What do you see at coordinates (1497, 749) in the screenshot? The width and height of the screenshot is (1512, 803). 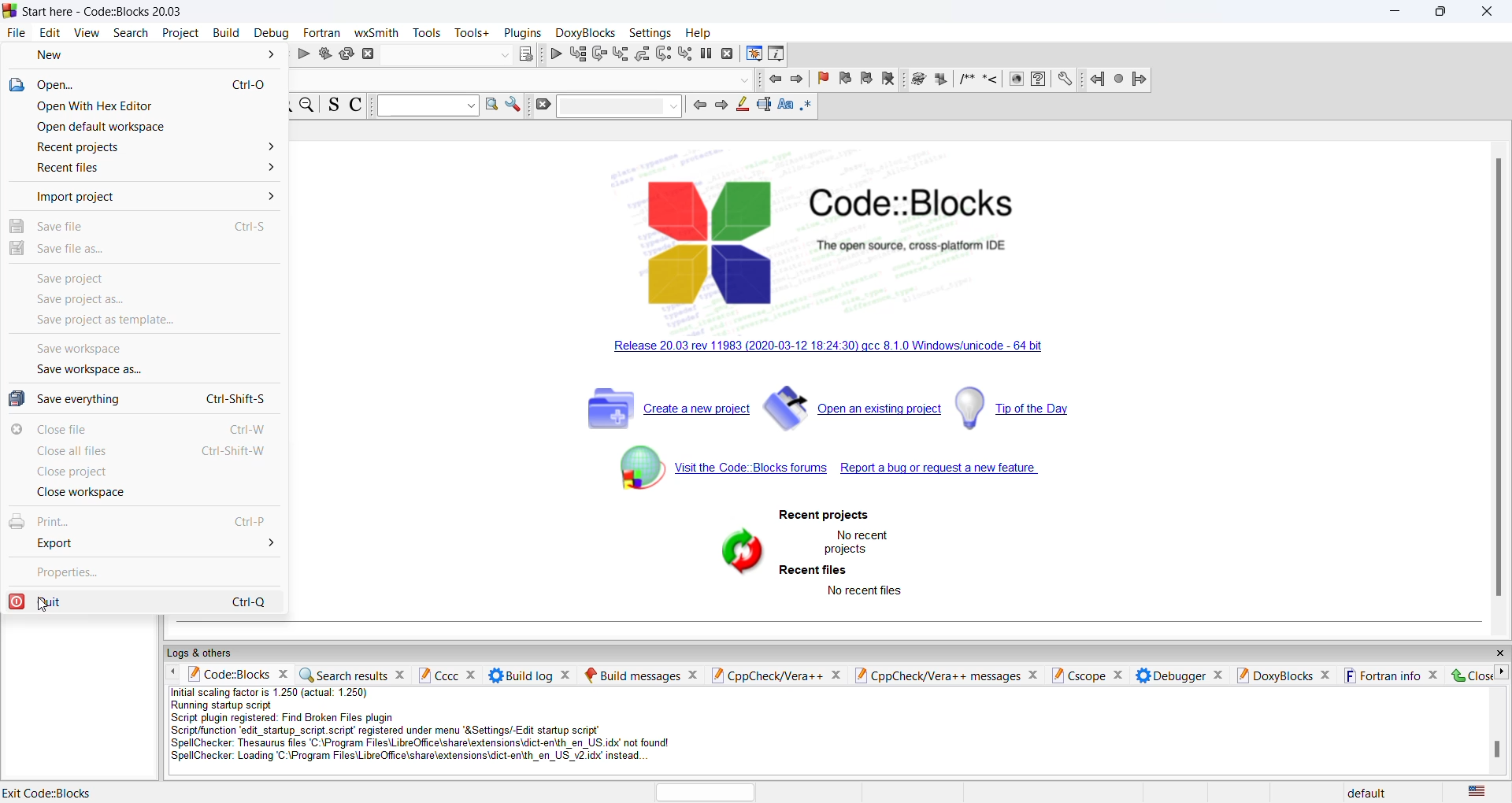 I see `scrollbar` at bounding box center [1497, 749].